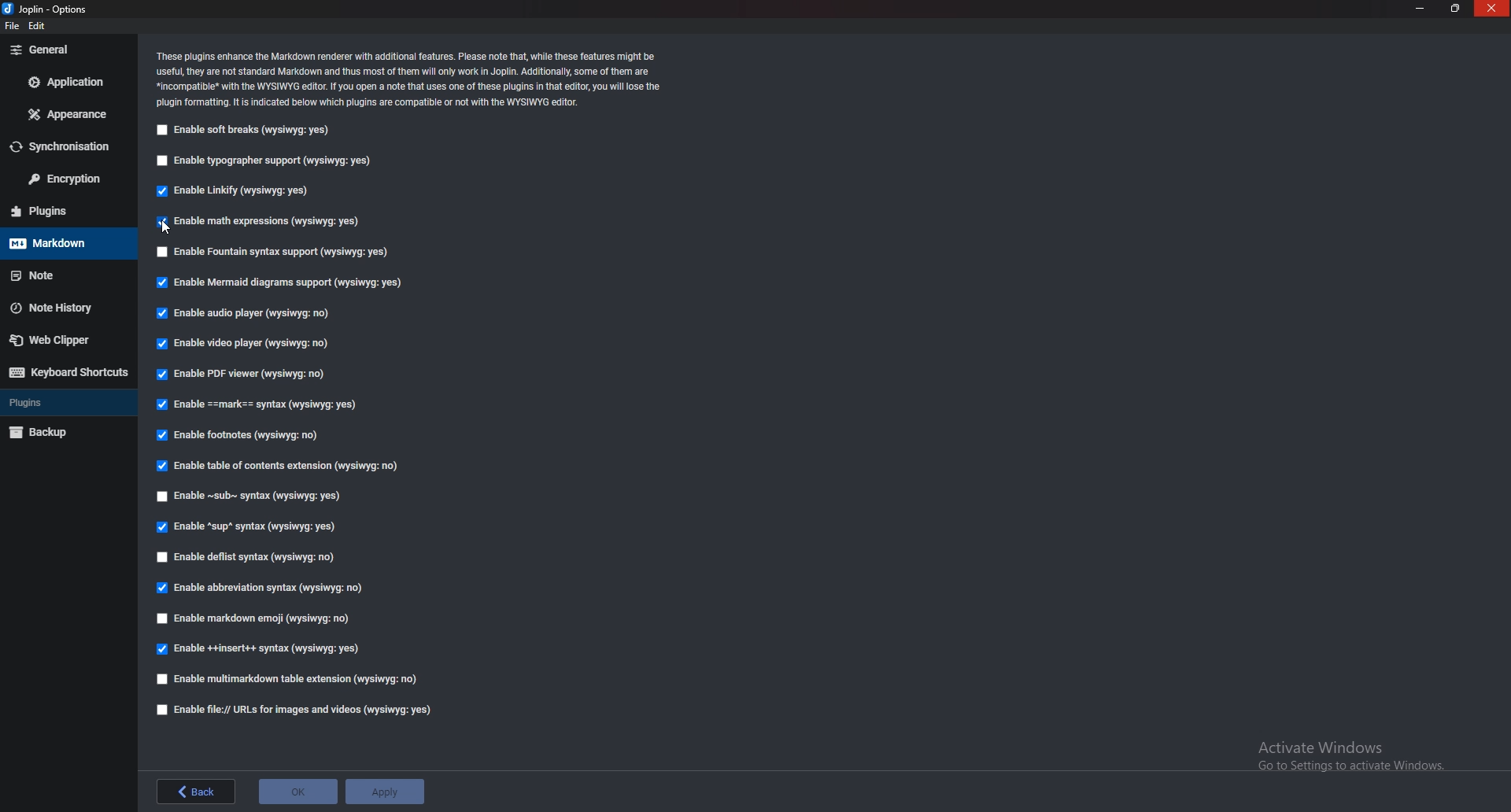  Describe the element at coordinates (242, 314) in the screenshot. I see `Enable audio player` at that location.